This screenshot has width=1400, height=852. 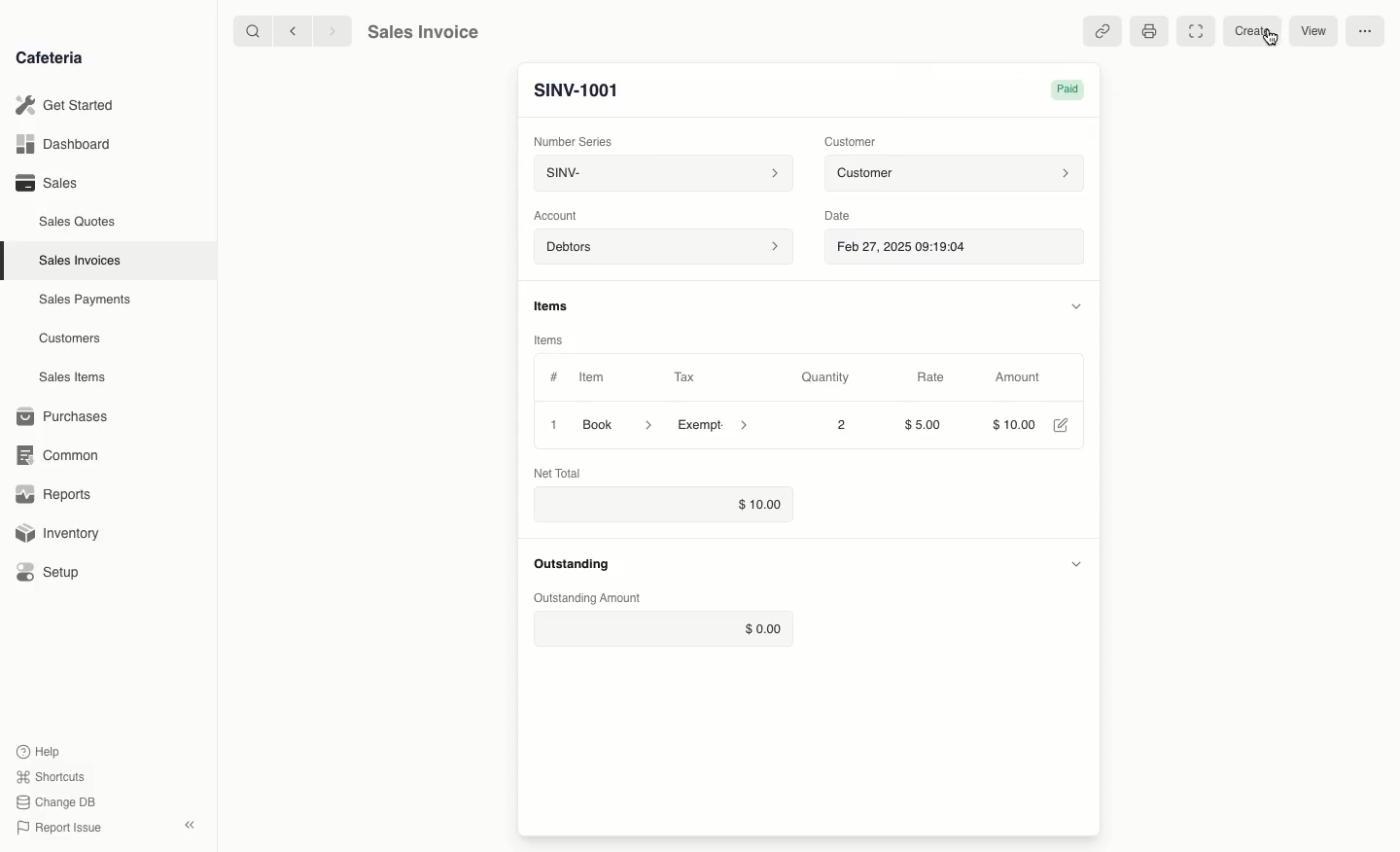 I want to click on Date, so click(x=839, y=216).